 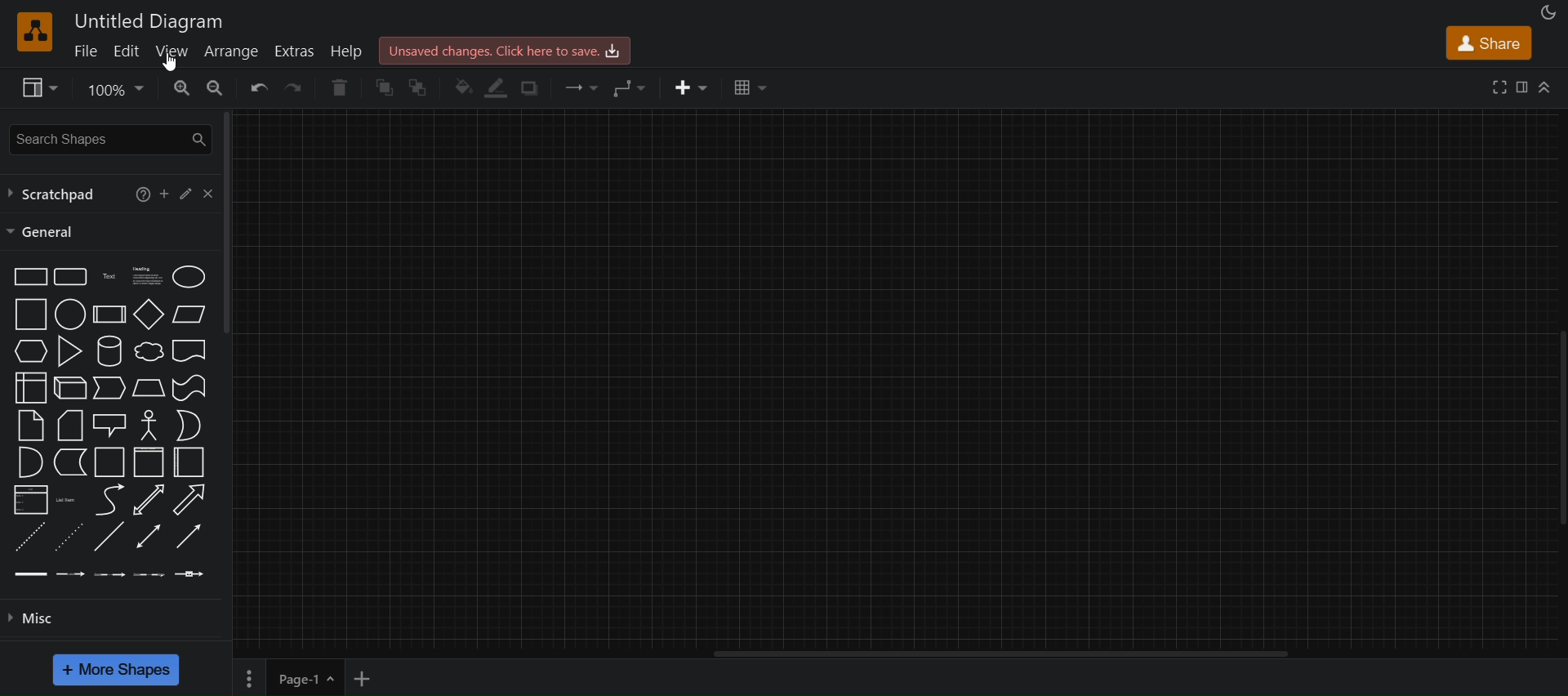 I want to click on add new, so click(x=368, y=675).